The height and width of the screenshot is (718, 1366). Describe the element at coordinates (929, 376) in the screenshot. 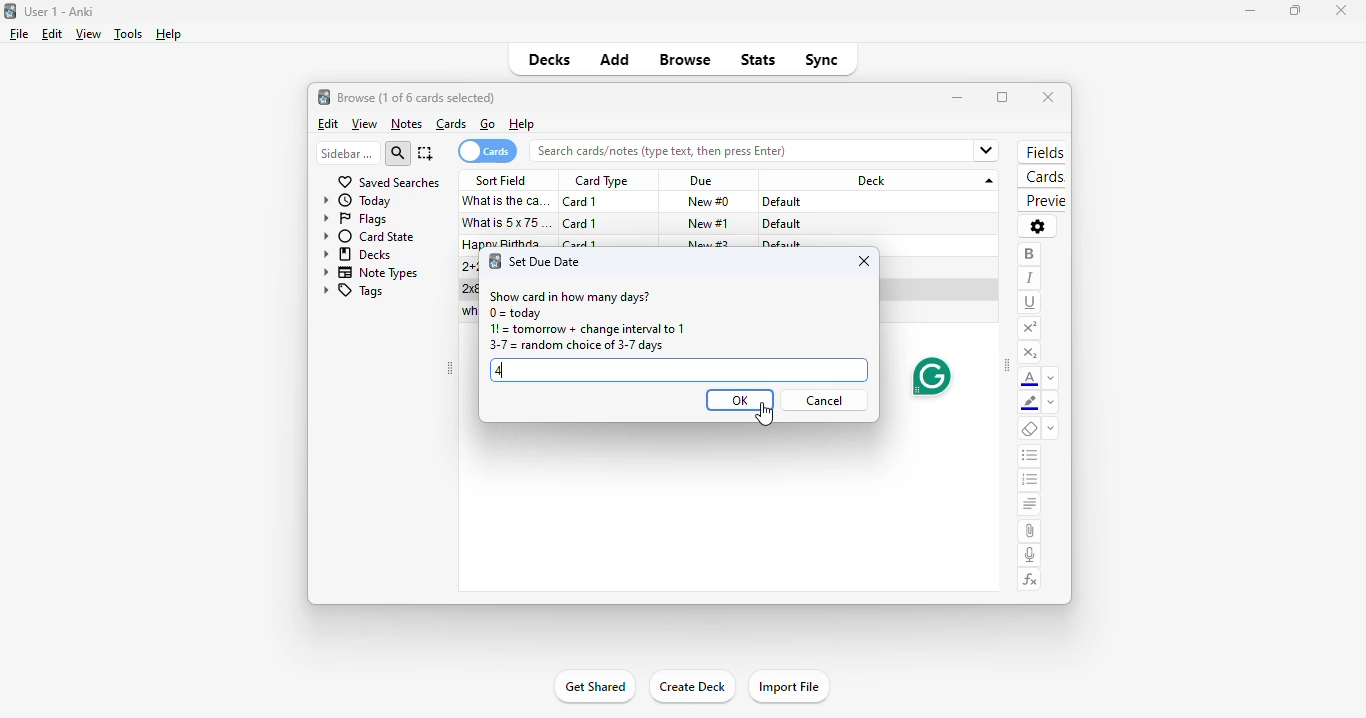

I see `grammarly extension` at that location.